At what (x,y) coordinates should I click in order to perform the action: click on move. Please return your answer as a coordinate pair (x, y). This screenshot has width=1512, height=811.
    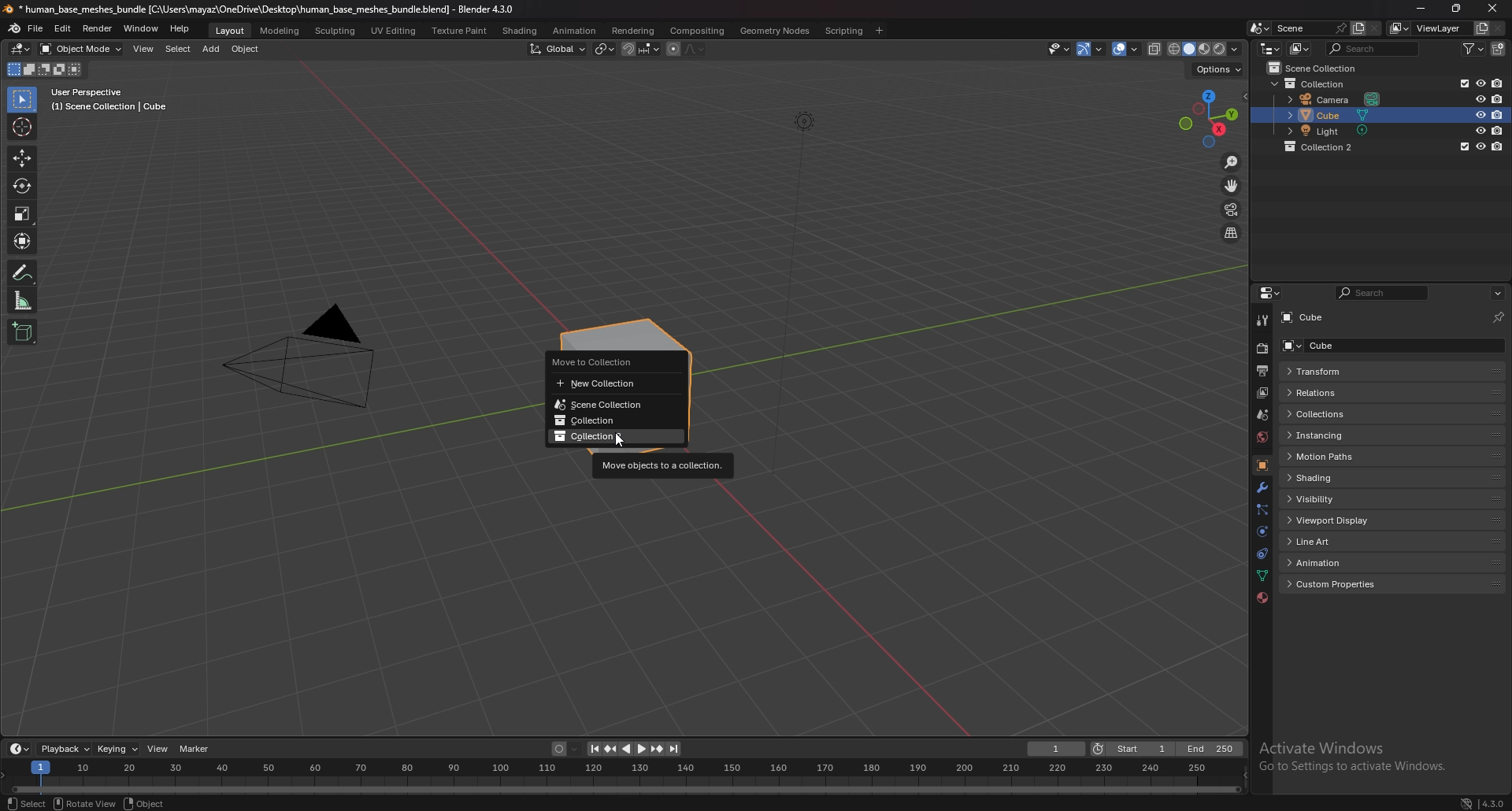
    Looking at the image, I should click on (22, 157).